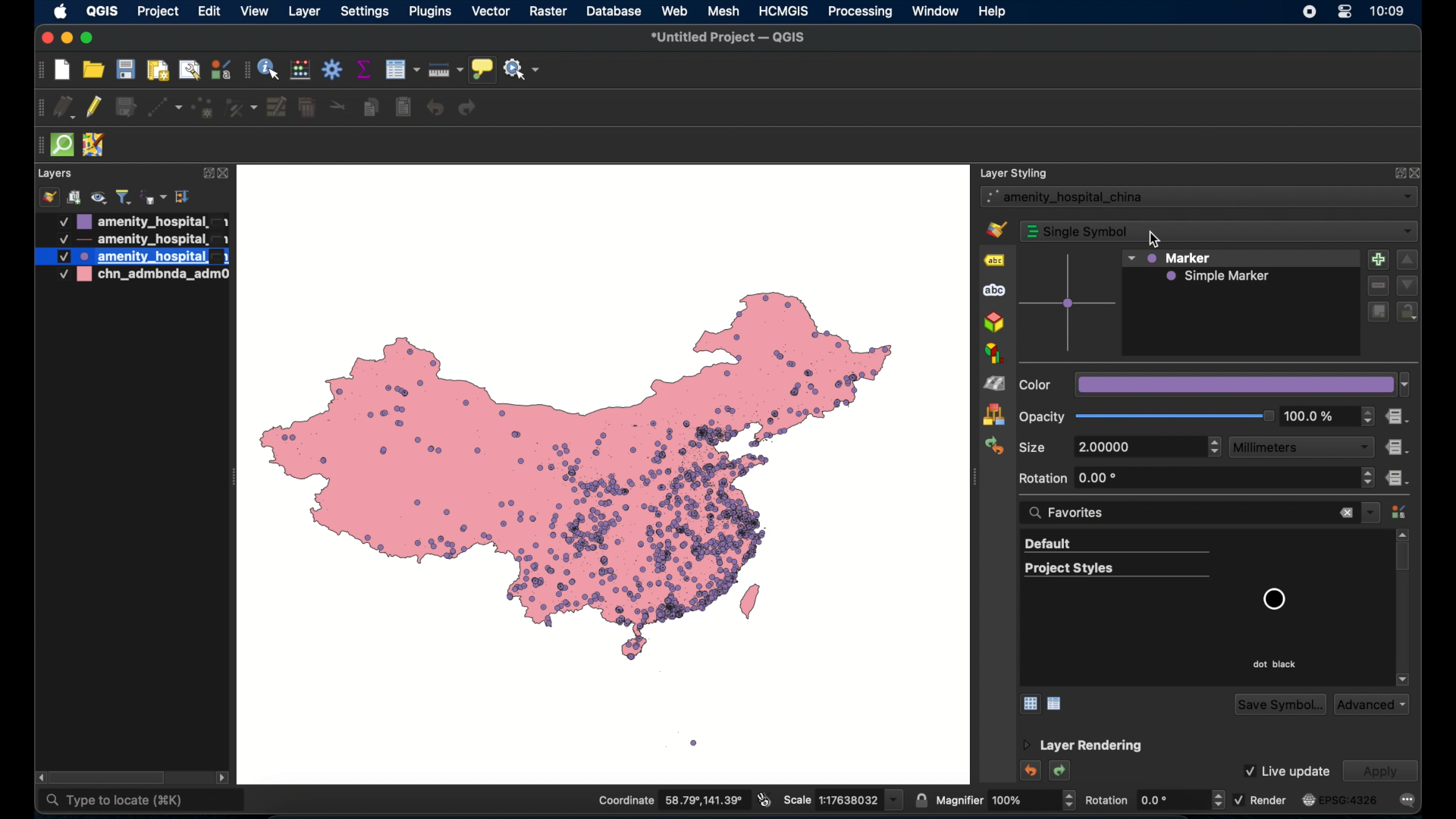 The image size is (1456, 819). What do you see at coordinates (994, 383) in the screenshot?
I see `shading renderer` at bounding box center [994, 383].